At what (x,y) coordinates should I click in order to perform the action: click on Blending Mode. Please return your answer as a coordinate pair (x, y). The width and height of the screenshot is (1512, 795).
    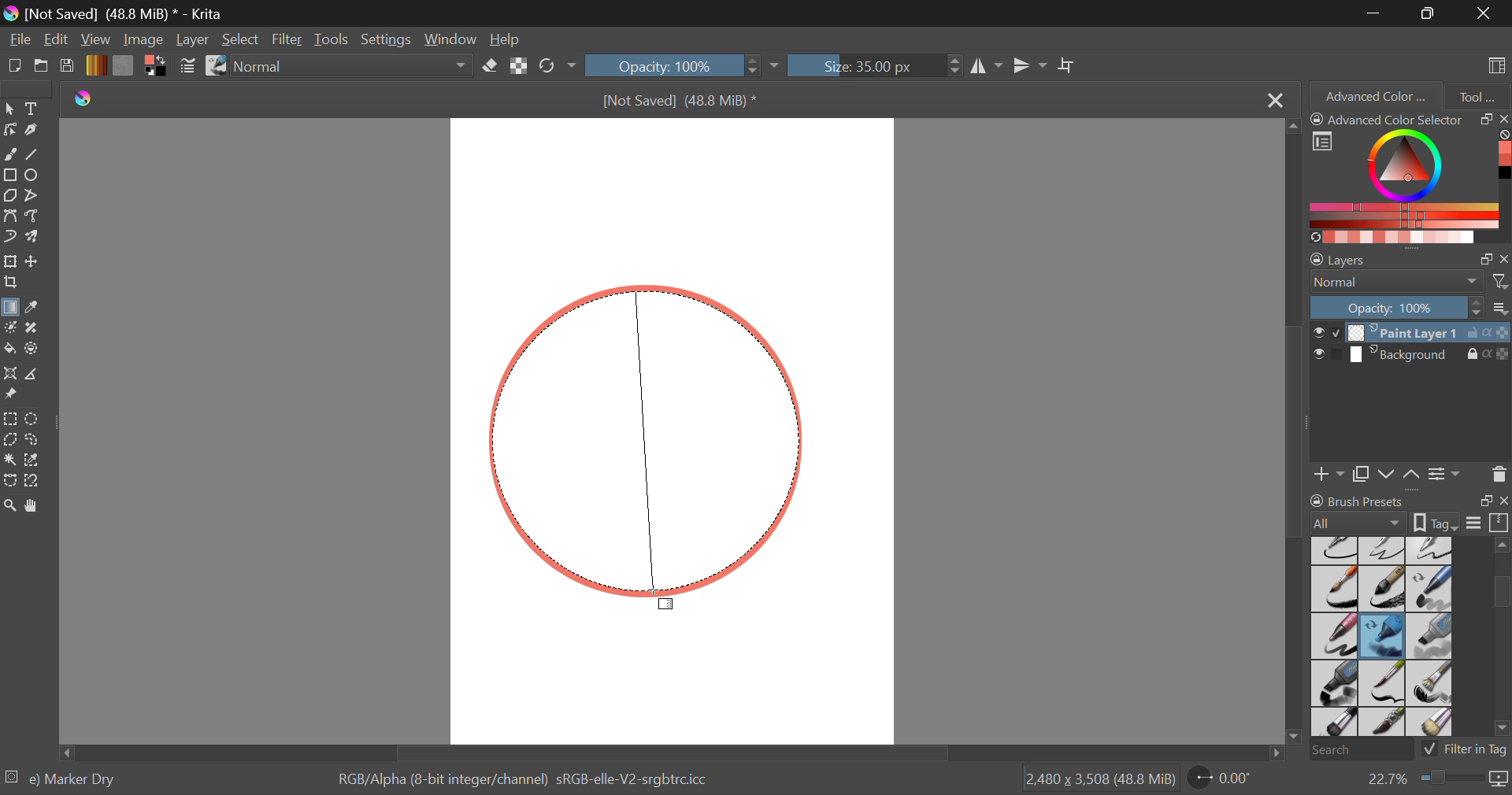
    Looking at the image, I should click on (356, 67).